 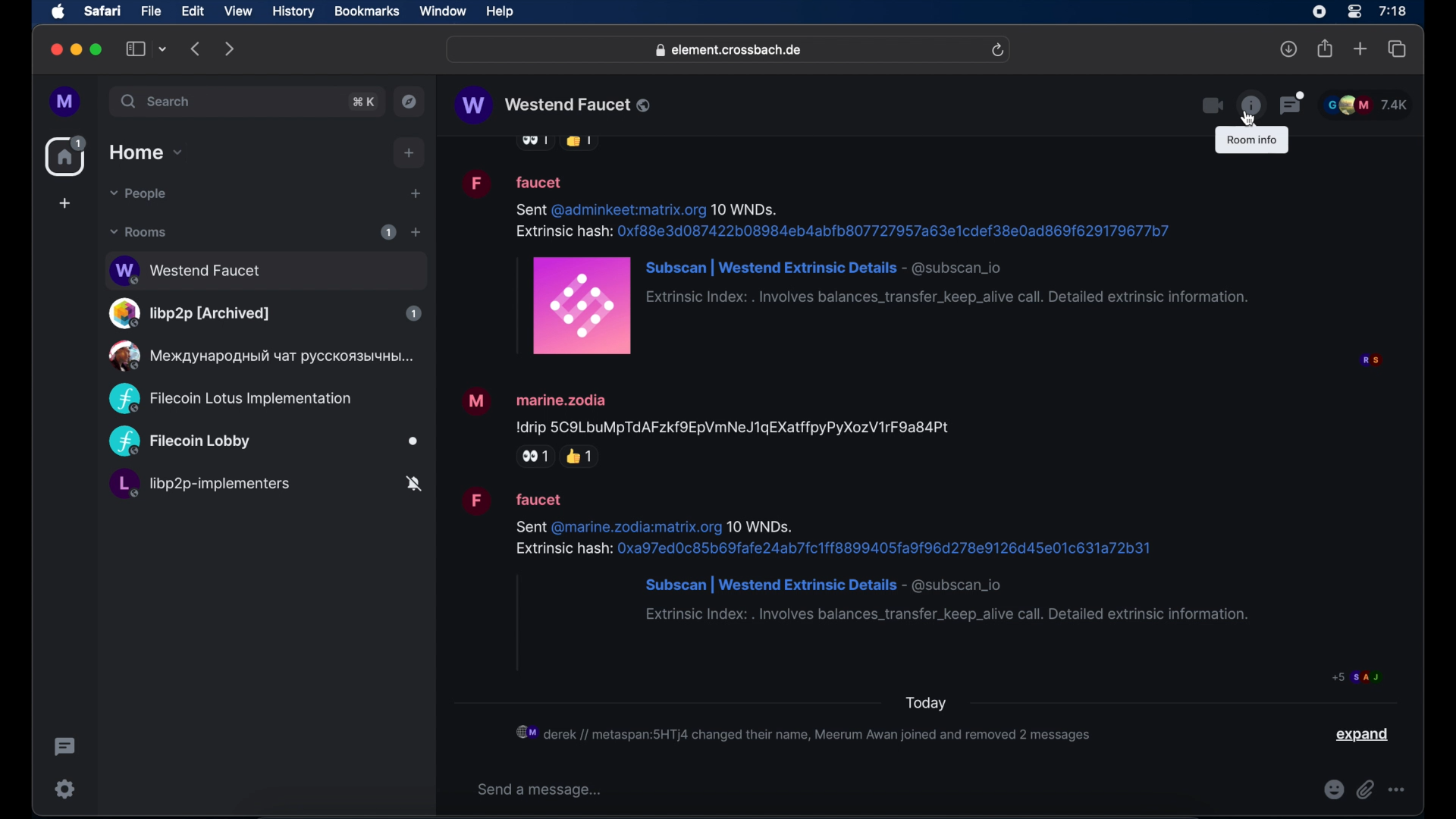 What do you see at coordinates (193, 11) in the screenshot?
I see `edit` at bounding box center [193, 11].